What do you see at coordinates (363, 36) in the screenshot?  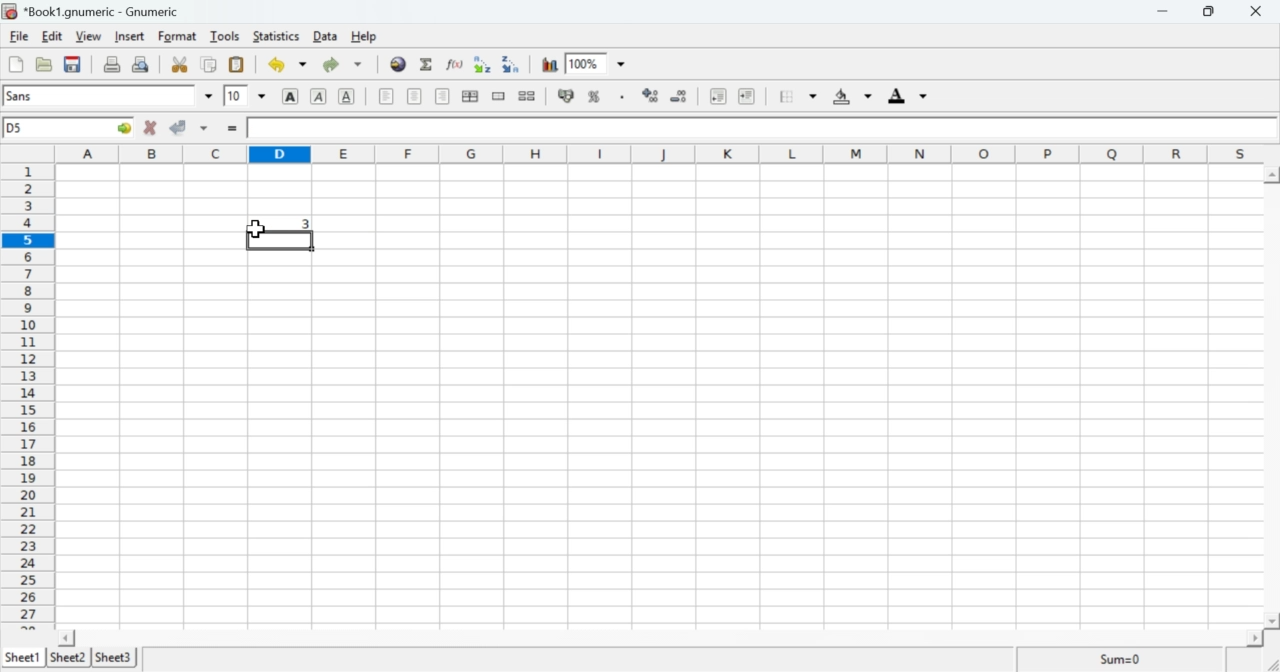 I see `Help` at bounding box center [363, 36].